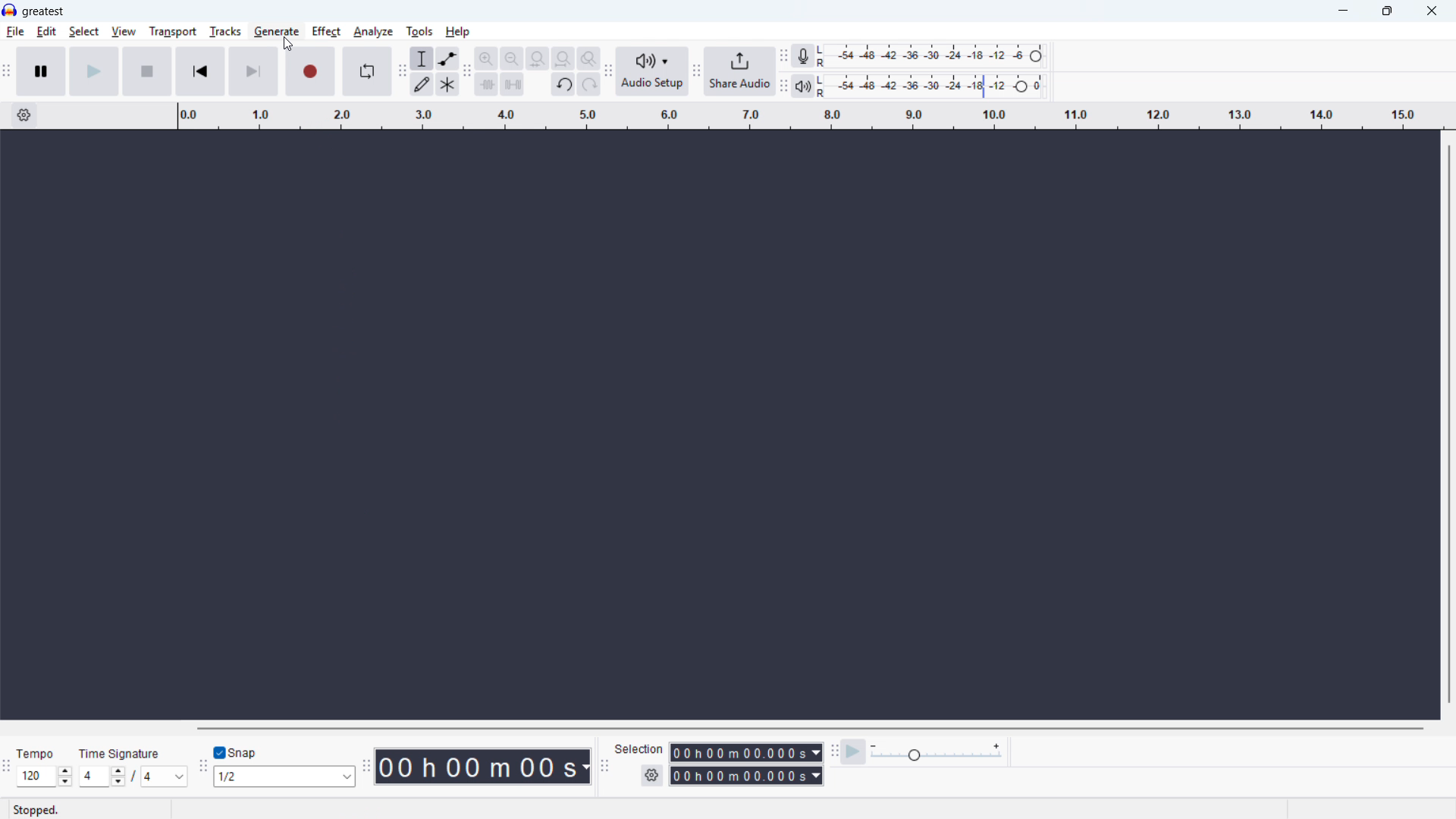 This screenshot has width=1456, height=819. What do you see at coordinates (458, 32) in the screenshot?
I see `help` at bounding box center [458, 32].